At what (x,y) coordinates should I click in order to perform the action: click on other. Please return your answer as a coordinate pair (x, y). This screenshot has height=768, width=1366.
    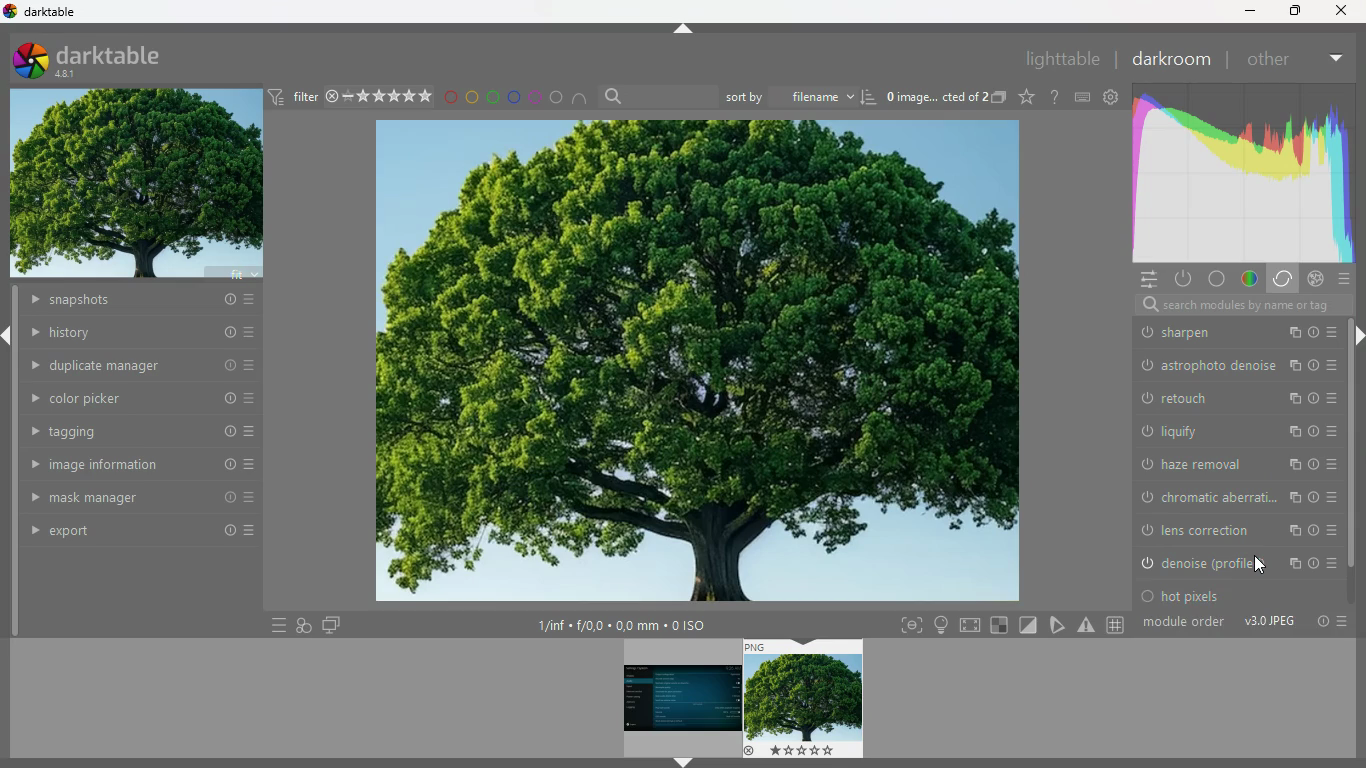
    Looking at the image, I should click on (1274, 58).